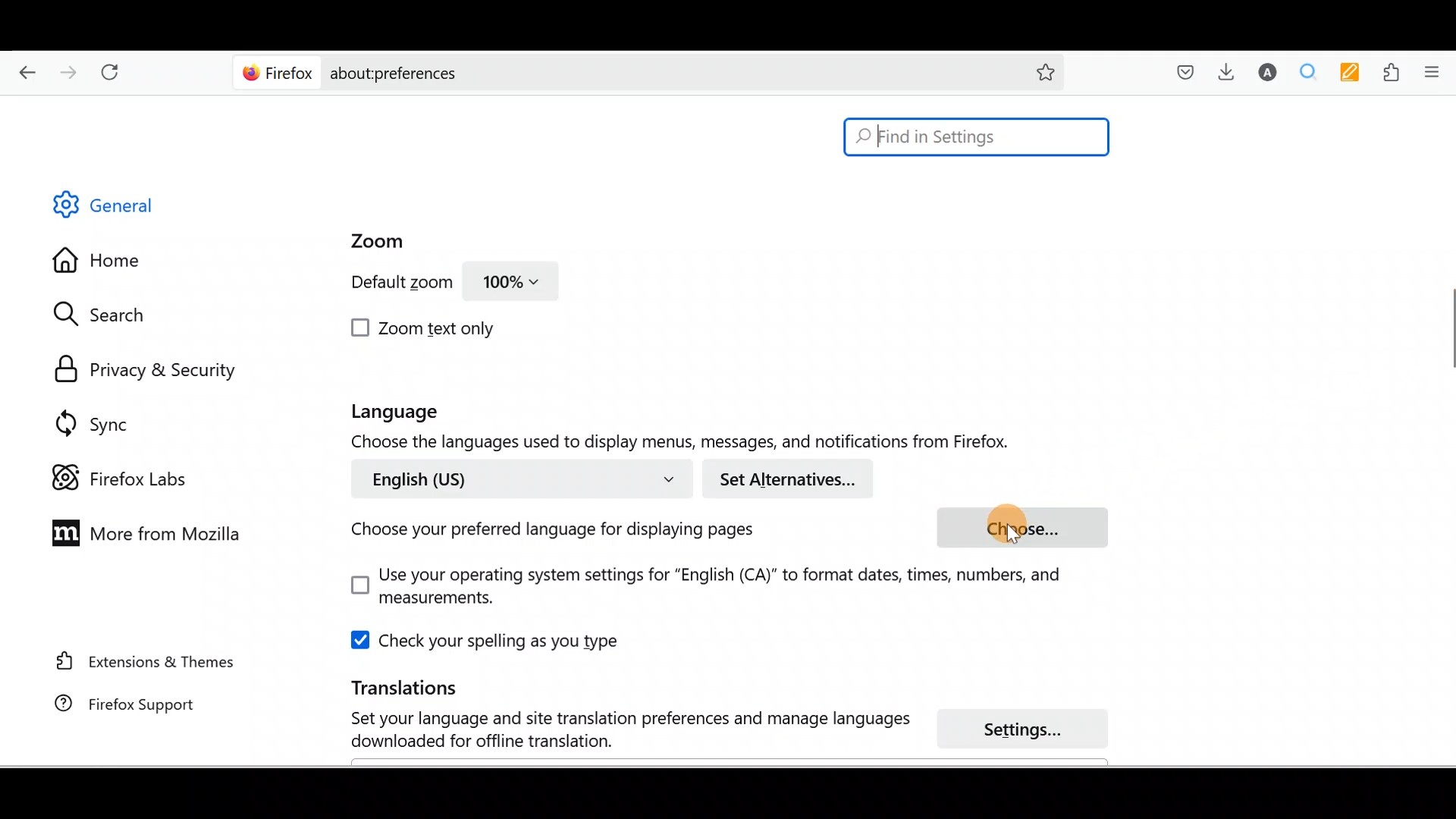 The image size is (1456, 819). I want to click on Firefox support, so click(115, 704).